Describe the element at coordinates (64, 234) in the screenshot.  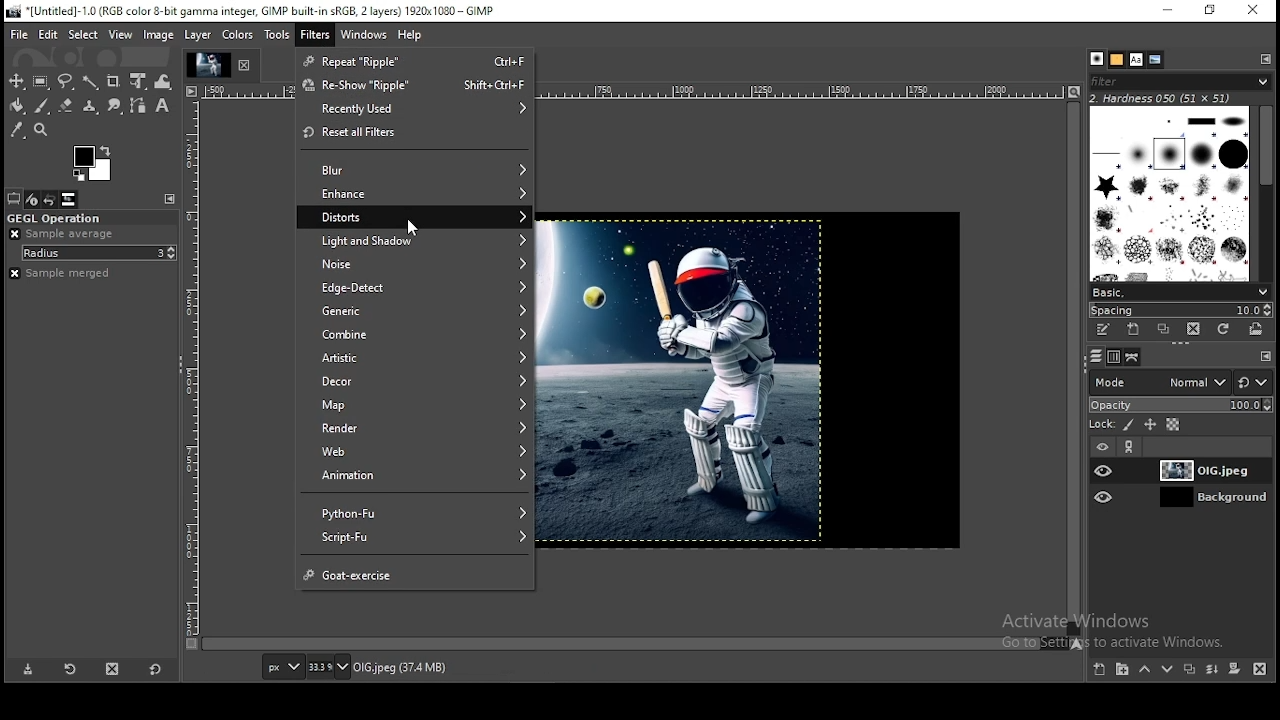
I see `sample average` at that location.